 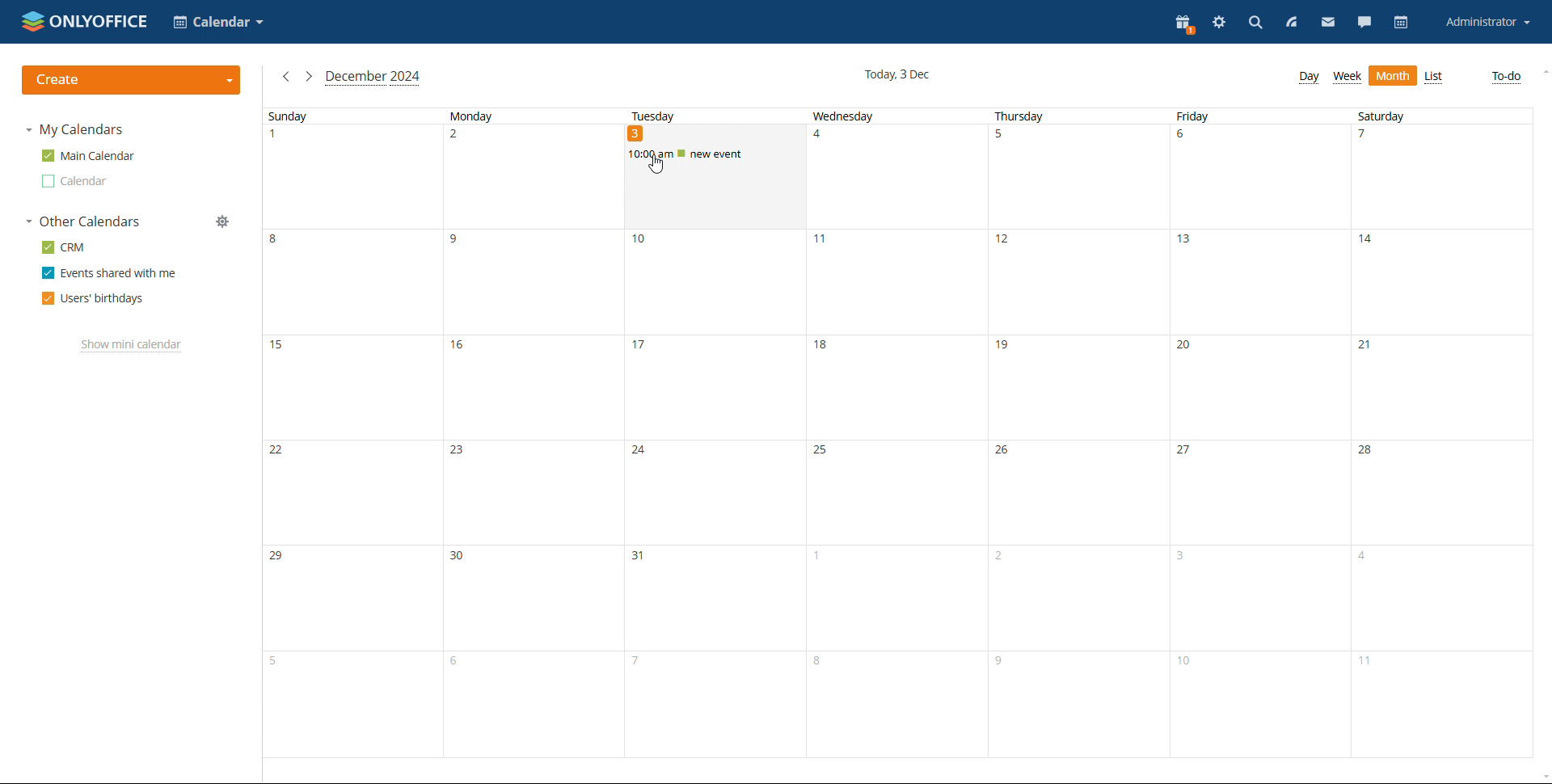 I want to click on scheduled event, so click(x=715, y=153).